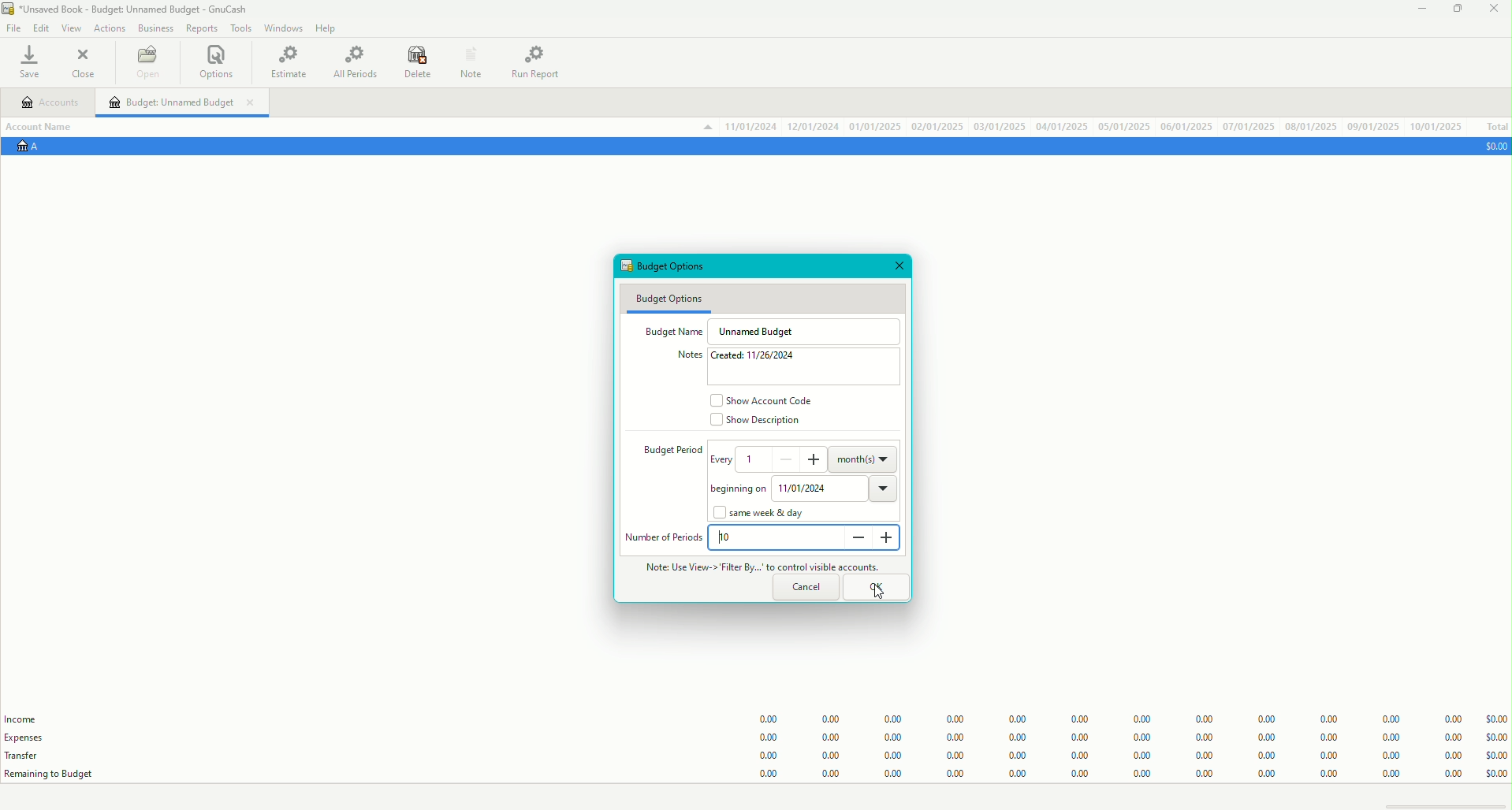 The image size is (1512, 810). What do you see at coordinates (31, 738) in the screenshot?
I see `Expenses` at bounding box center [31, 738].